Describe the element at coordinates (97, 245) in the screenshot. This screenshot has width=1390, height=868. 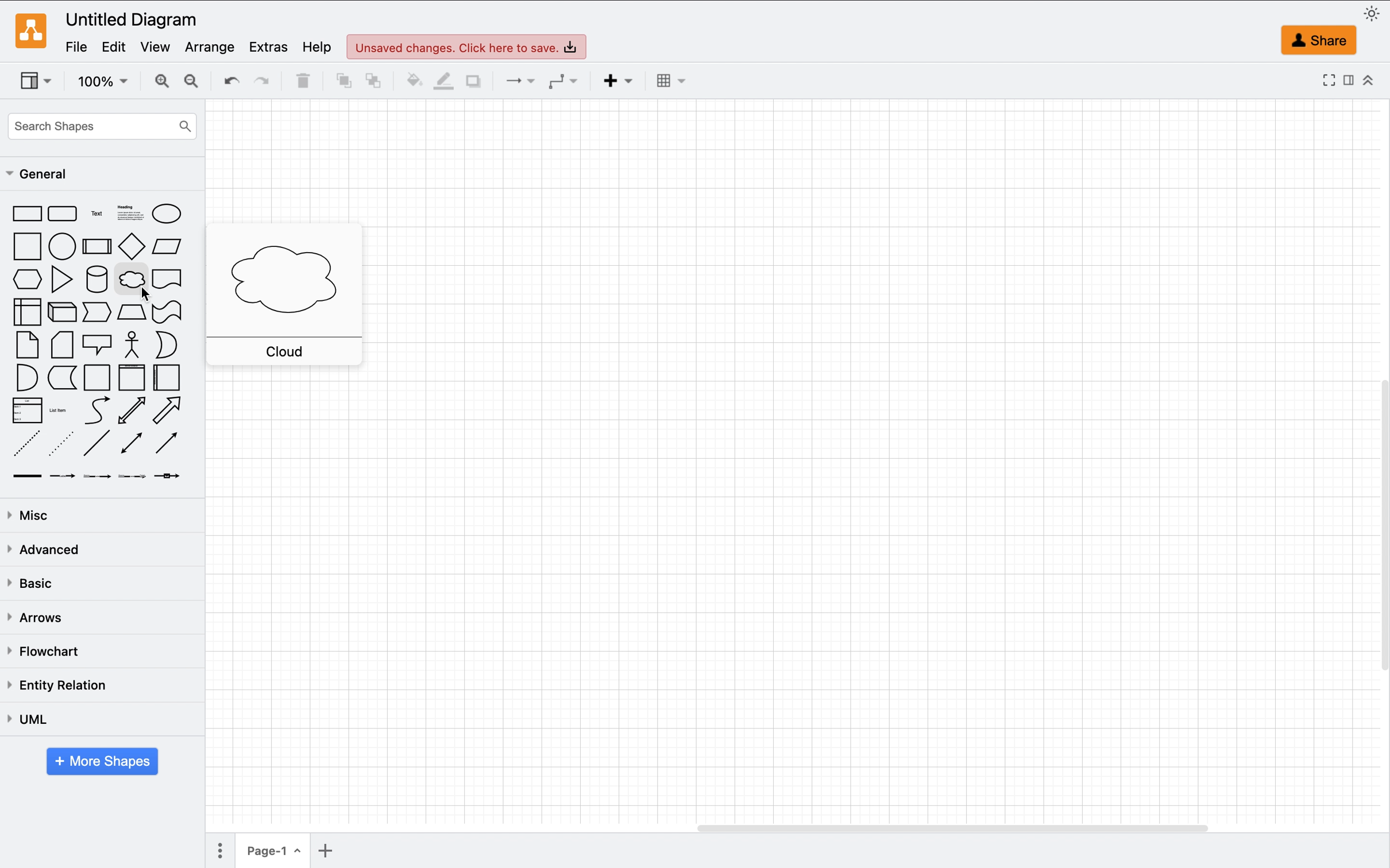
I see `process` at that location.